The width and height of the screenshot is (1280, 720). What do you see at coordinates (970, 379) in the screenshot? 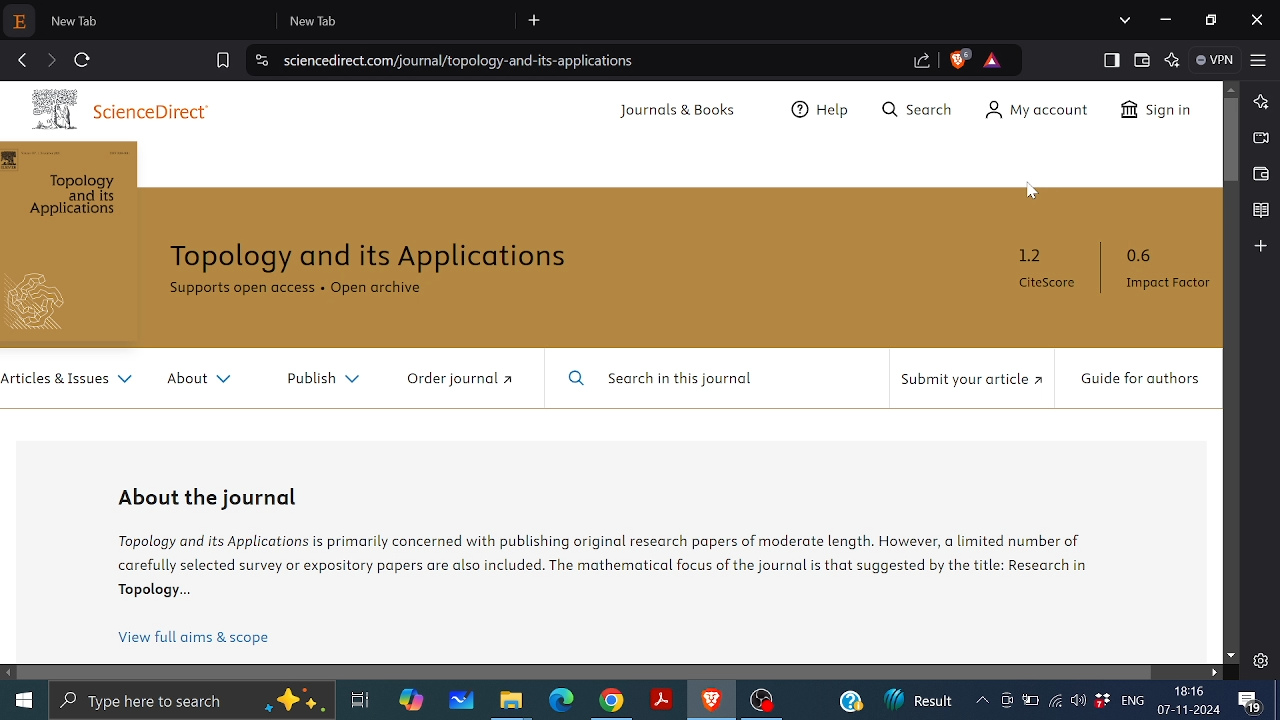
I see `Submit your article` at bounding box center [970, 379].